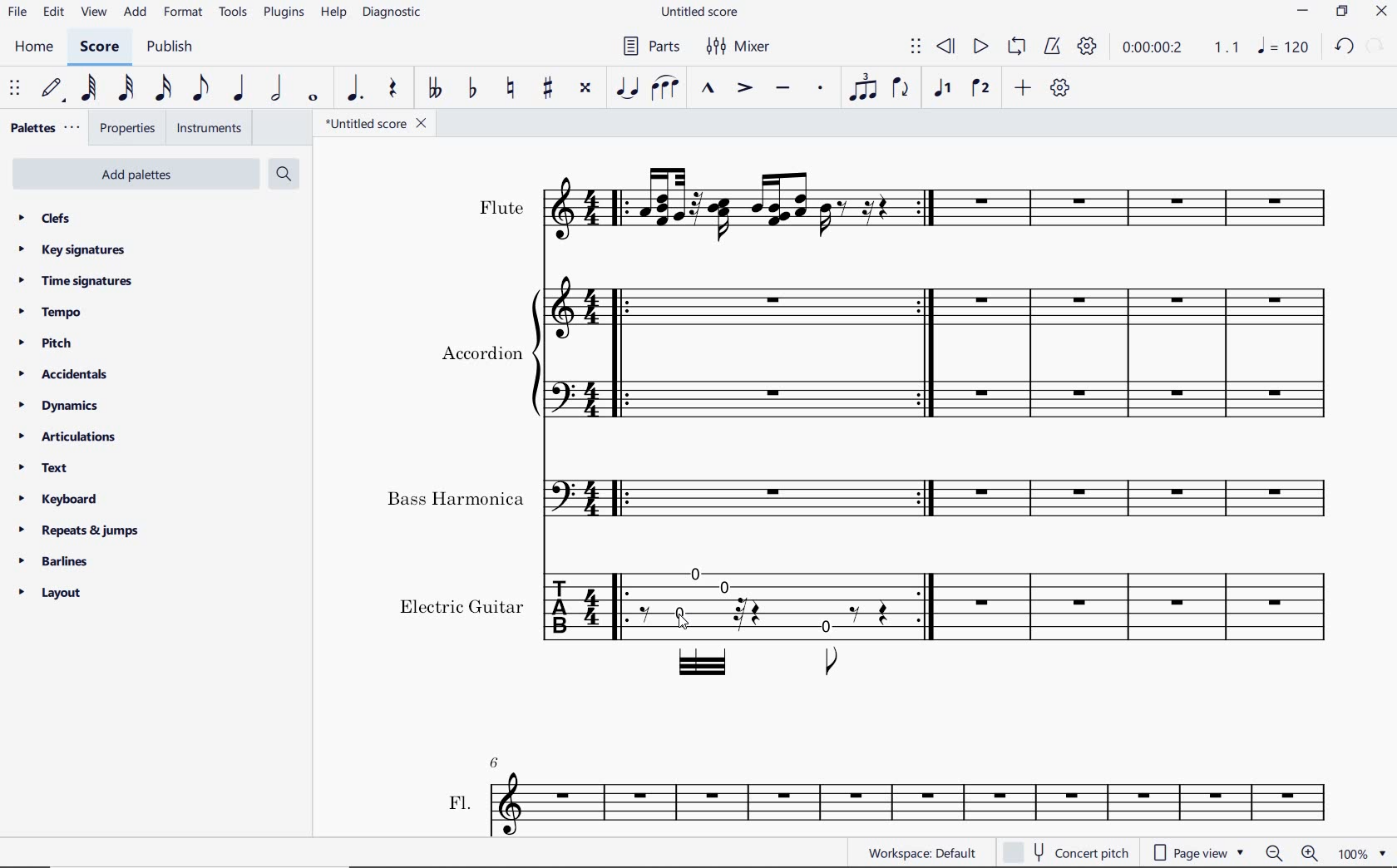 Image resolution: width=1397 pixels, height=868 pixels. Describe the element at coordinates (79, 531) in the screenshot. I see `repeats & jumps` at that location.